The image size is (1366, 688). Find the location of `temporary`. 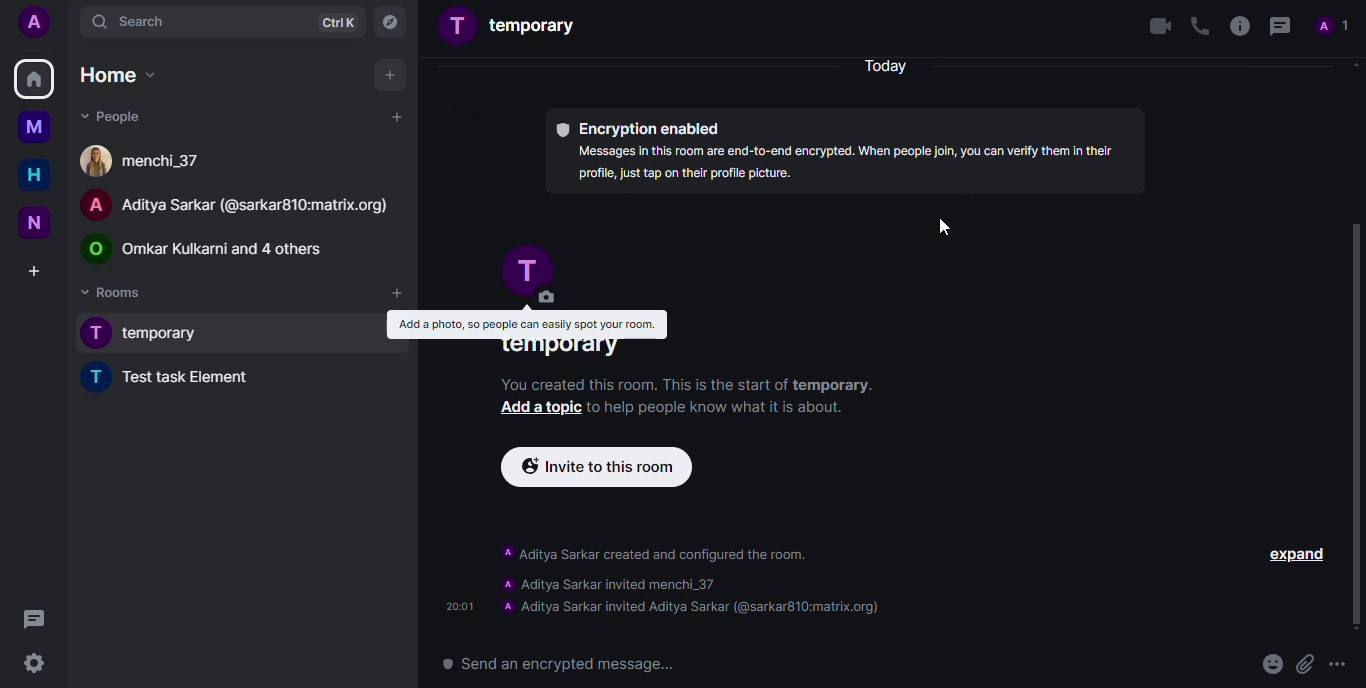

temporary is located at coordinates (520, 29).